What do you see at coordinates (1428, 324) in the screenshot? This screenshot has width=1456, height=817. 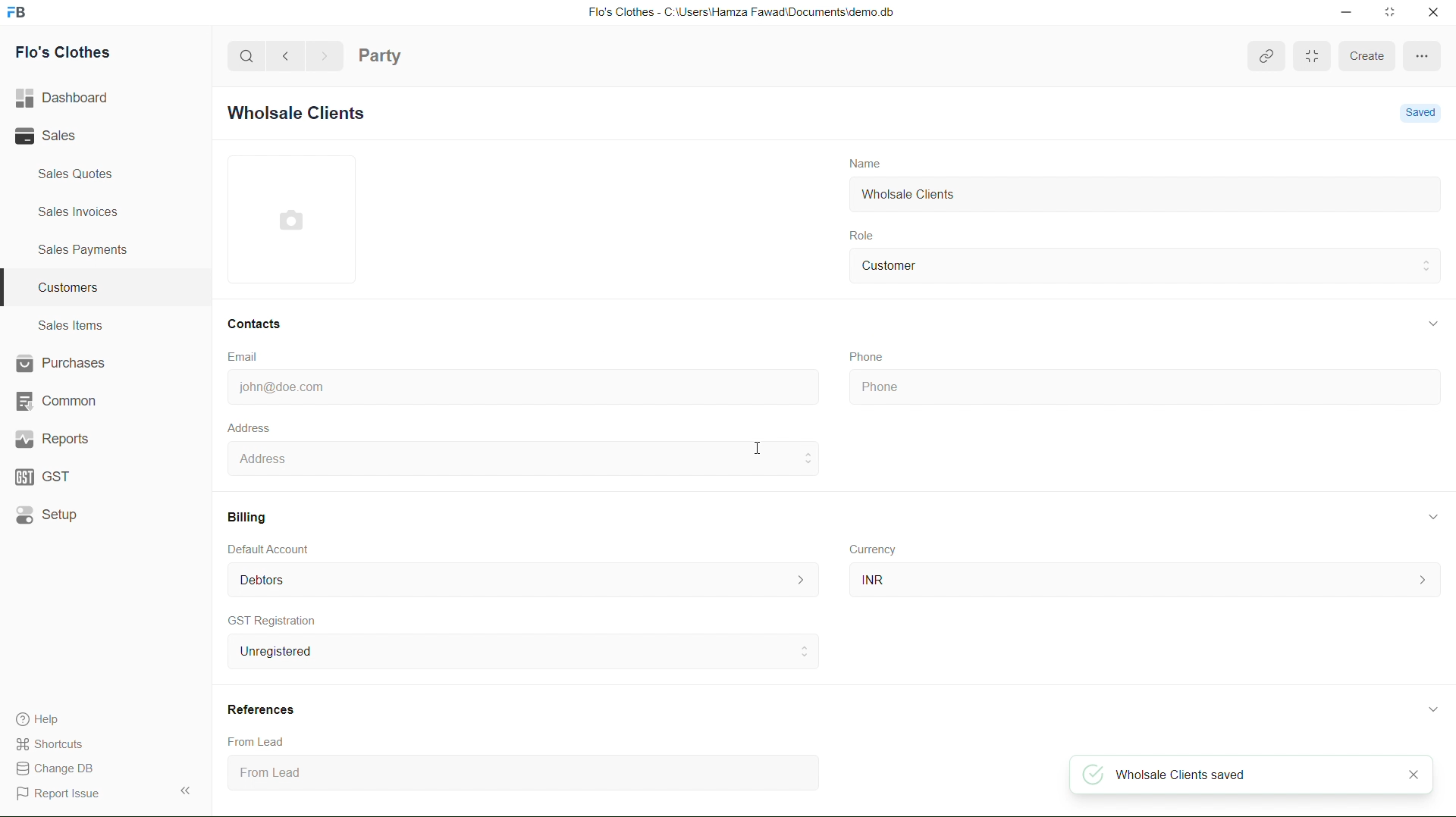 I see `expand` at bounding box center [1428, 324].